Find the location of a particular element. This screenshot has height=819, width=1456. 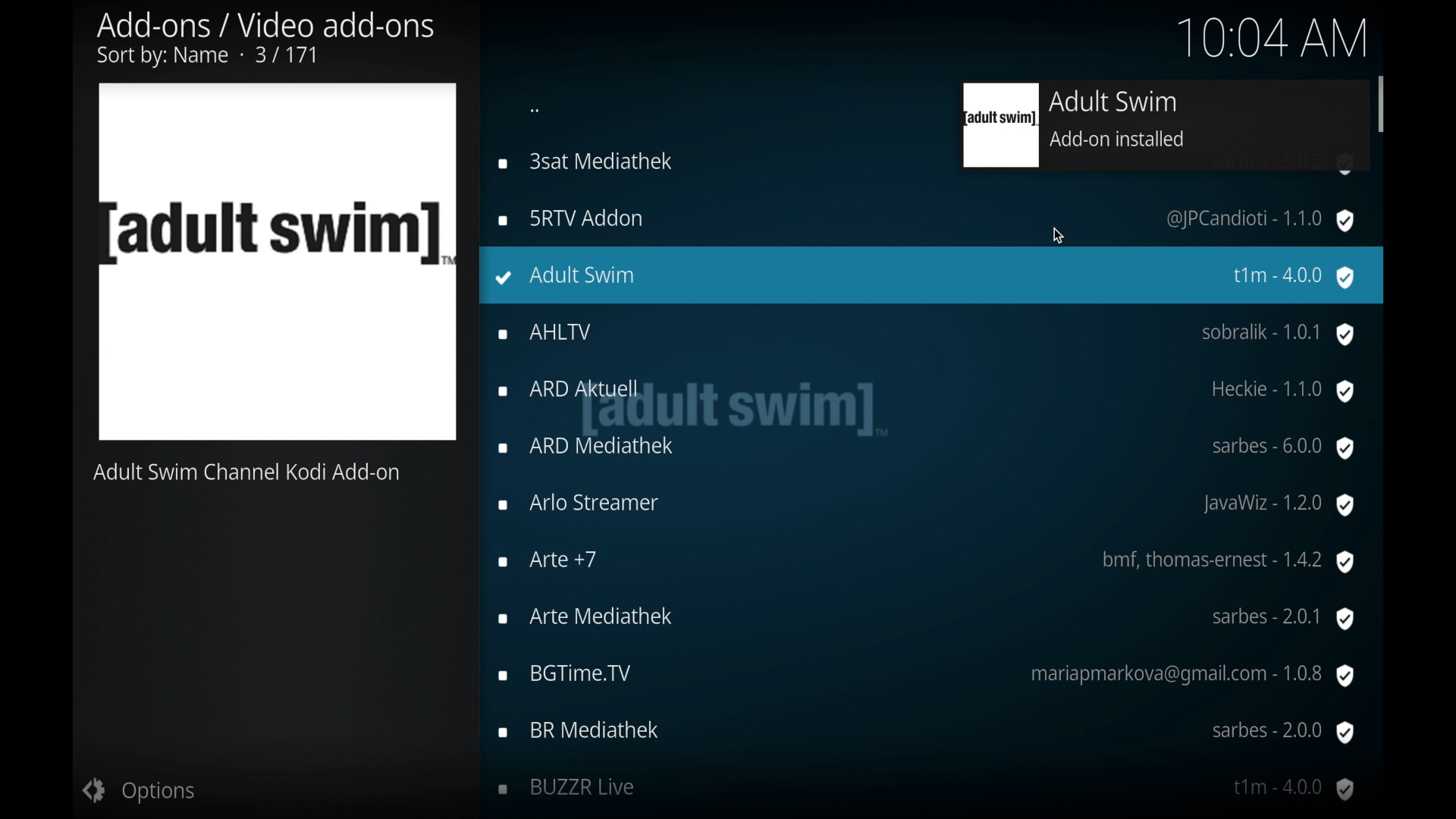

adult swim icon is located at coordinates (278, 262).